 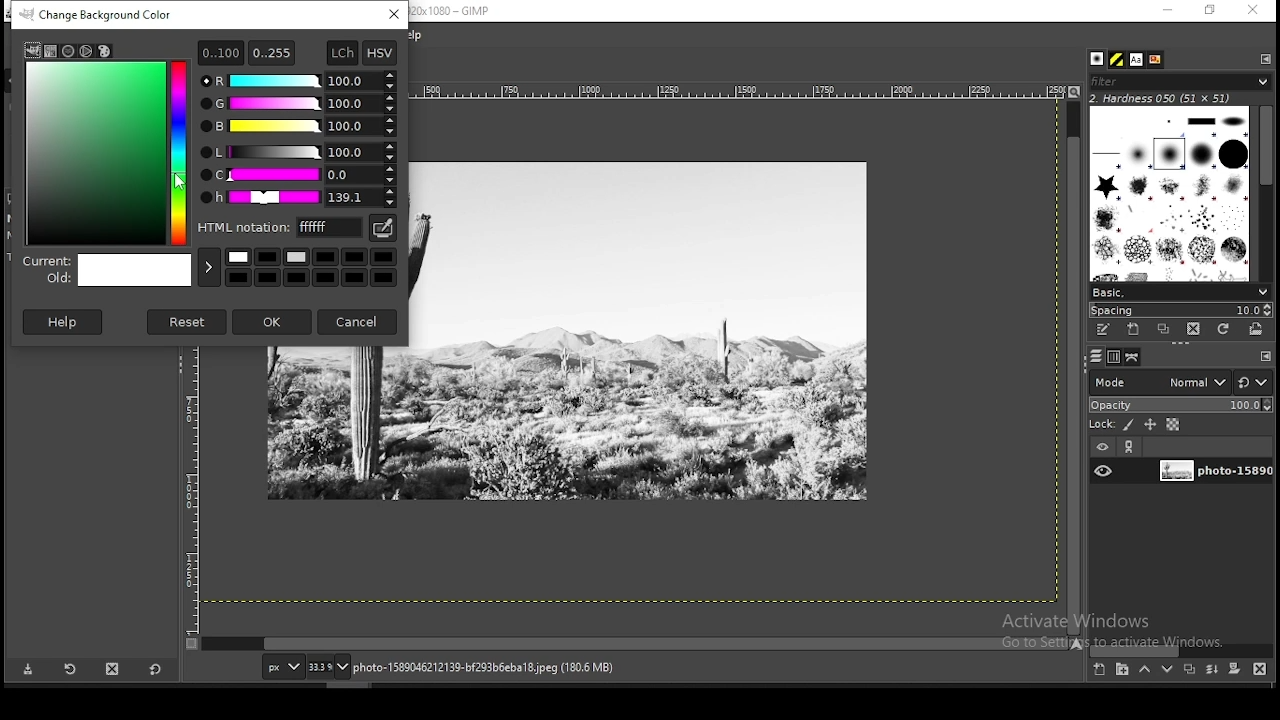 I want to click on opacity, so click(x=1179, y=403).